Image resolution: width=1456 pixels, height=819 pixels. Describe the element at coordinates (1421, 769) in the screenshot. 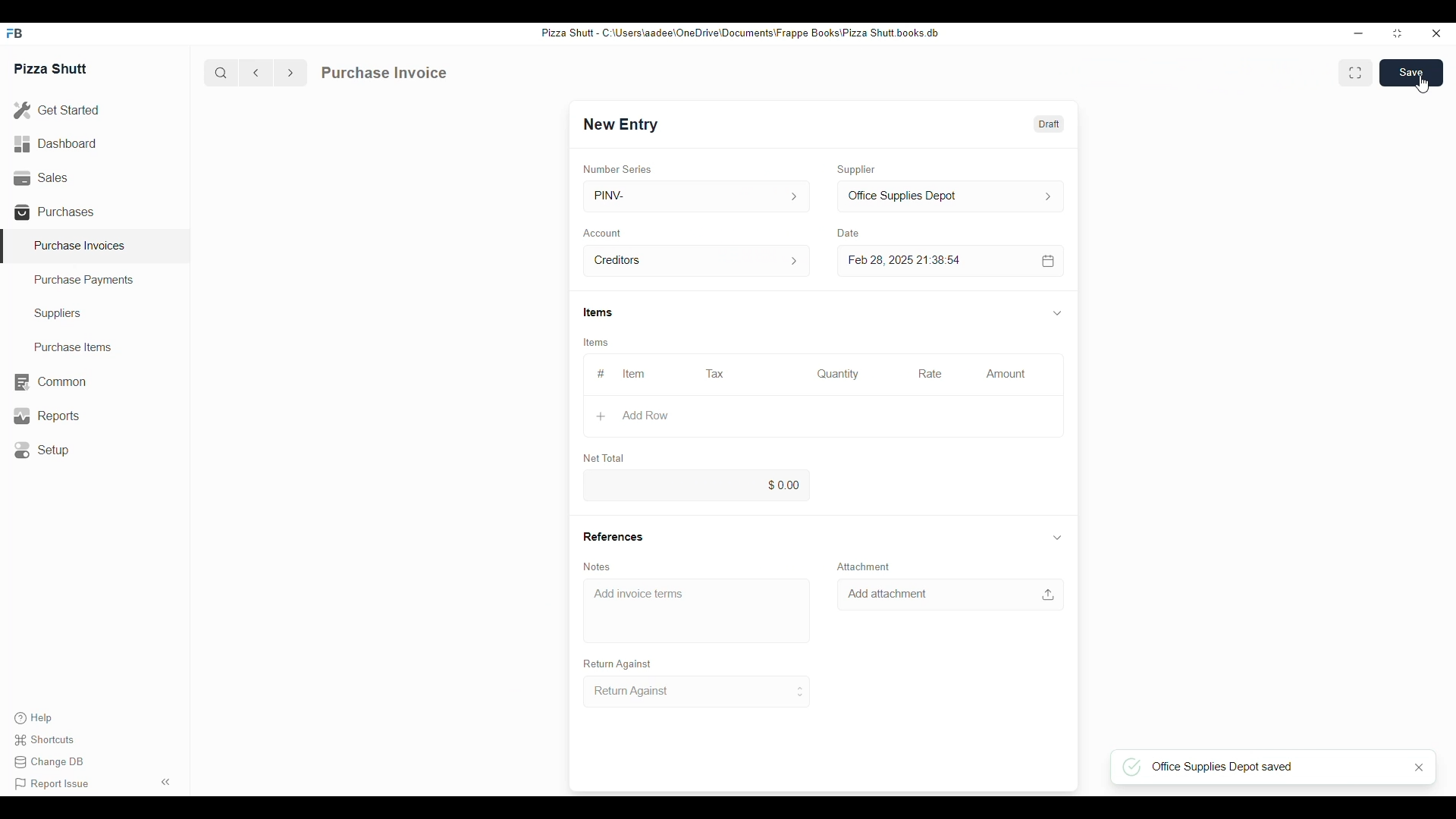

I see `close` at that location.